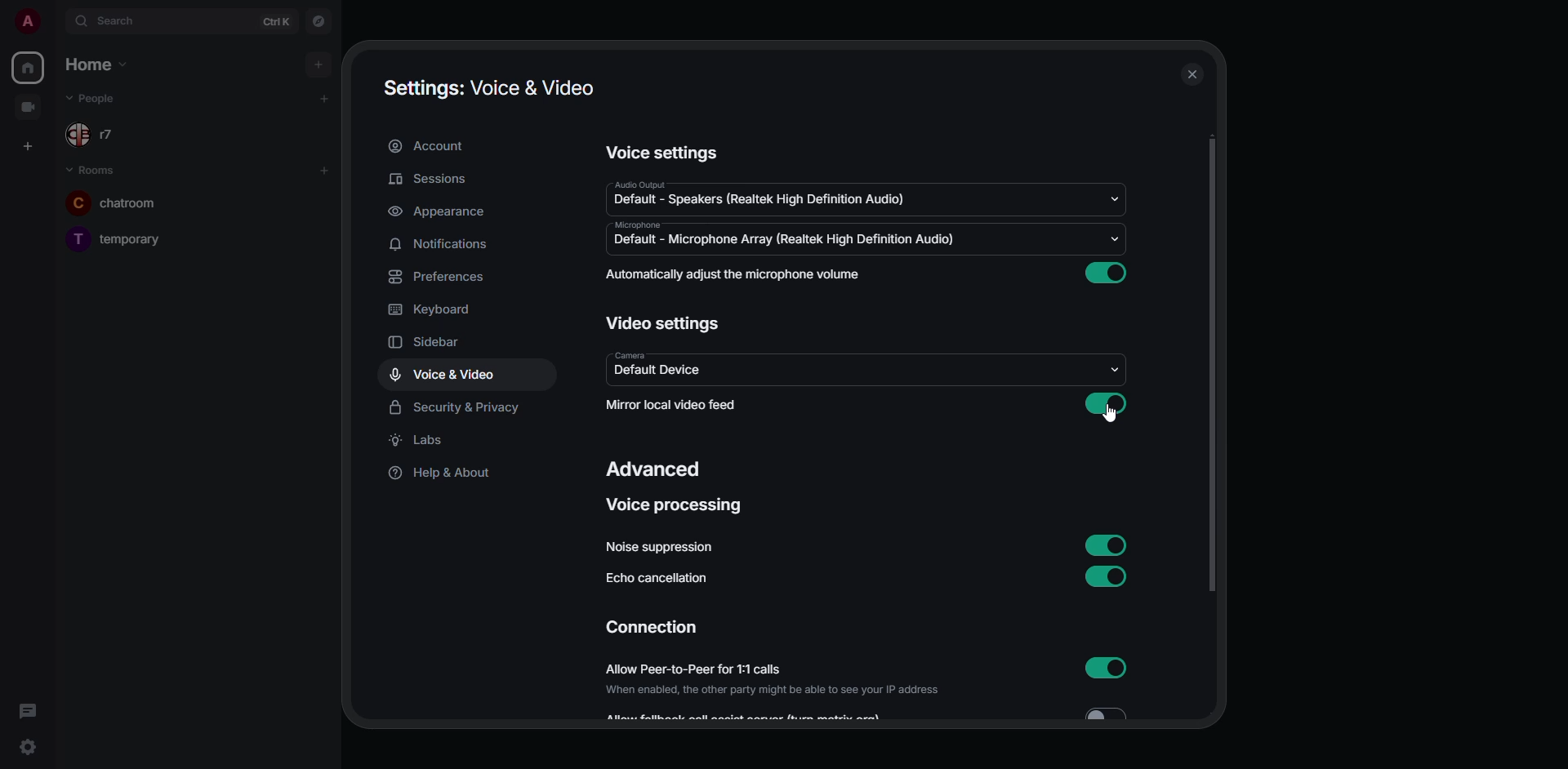 The width and height of the screenshot is (1568, 769). I want to click on automatically adjust mic volume, so click(732, 274).